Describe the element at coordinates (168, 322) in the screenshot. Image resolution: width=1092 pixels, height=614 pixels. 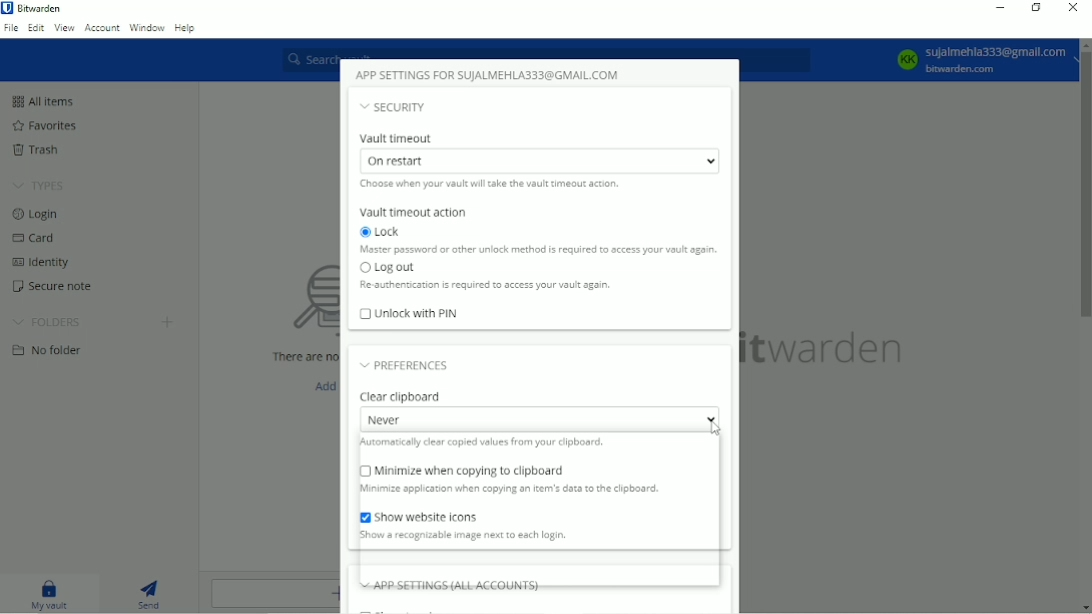
I see `Create folder` at that location.